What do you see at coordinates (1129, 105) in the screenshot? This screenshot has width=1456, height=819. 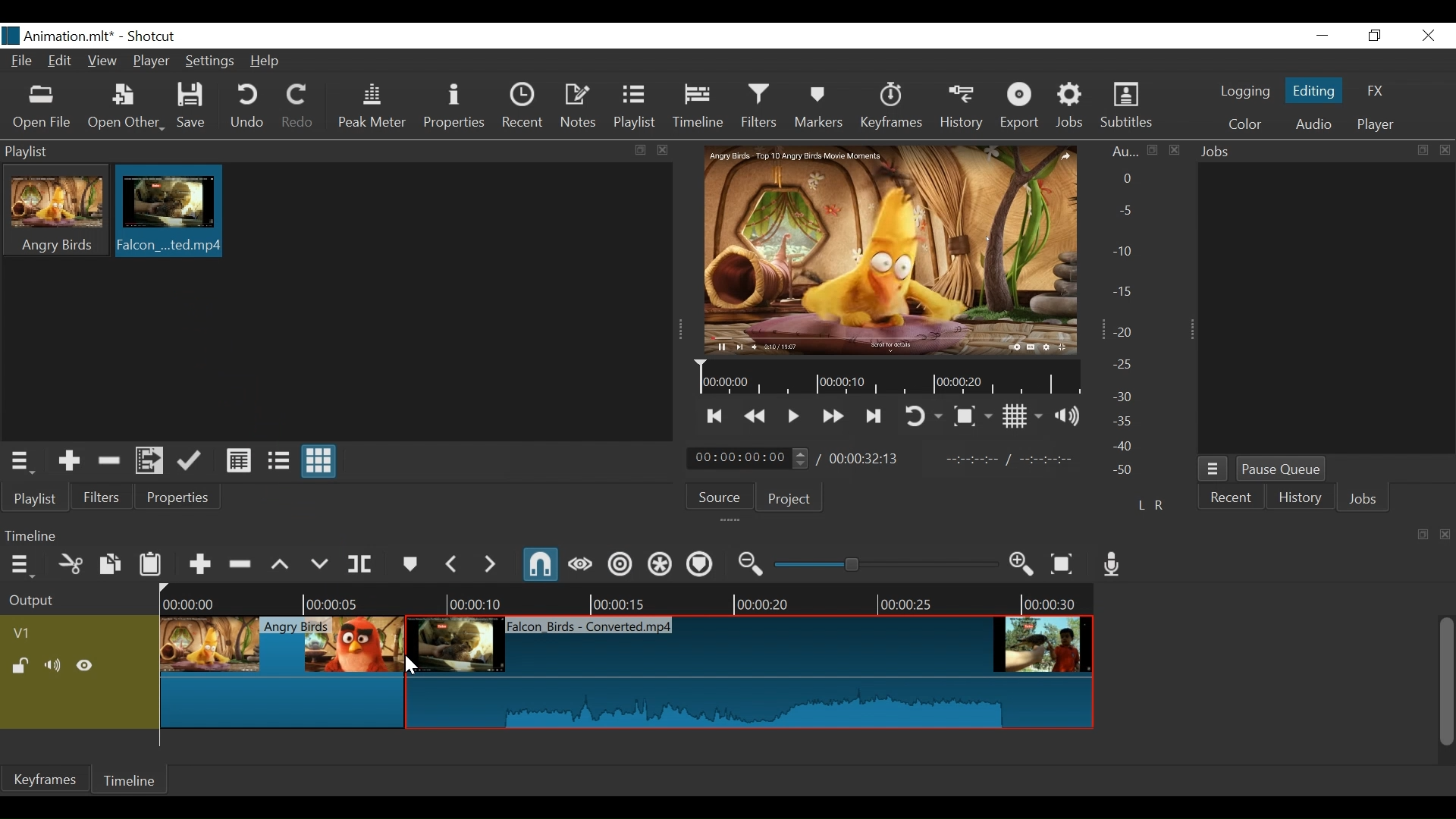 I see `Subtitles` at bounding box center [1129, 105].